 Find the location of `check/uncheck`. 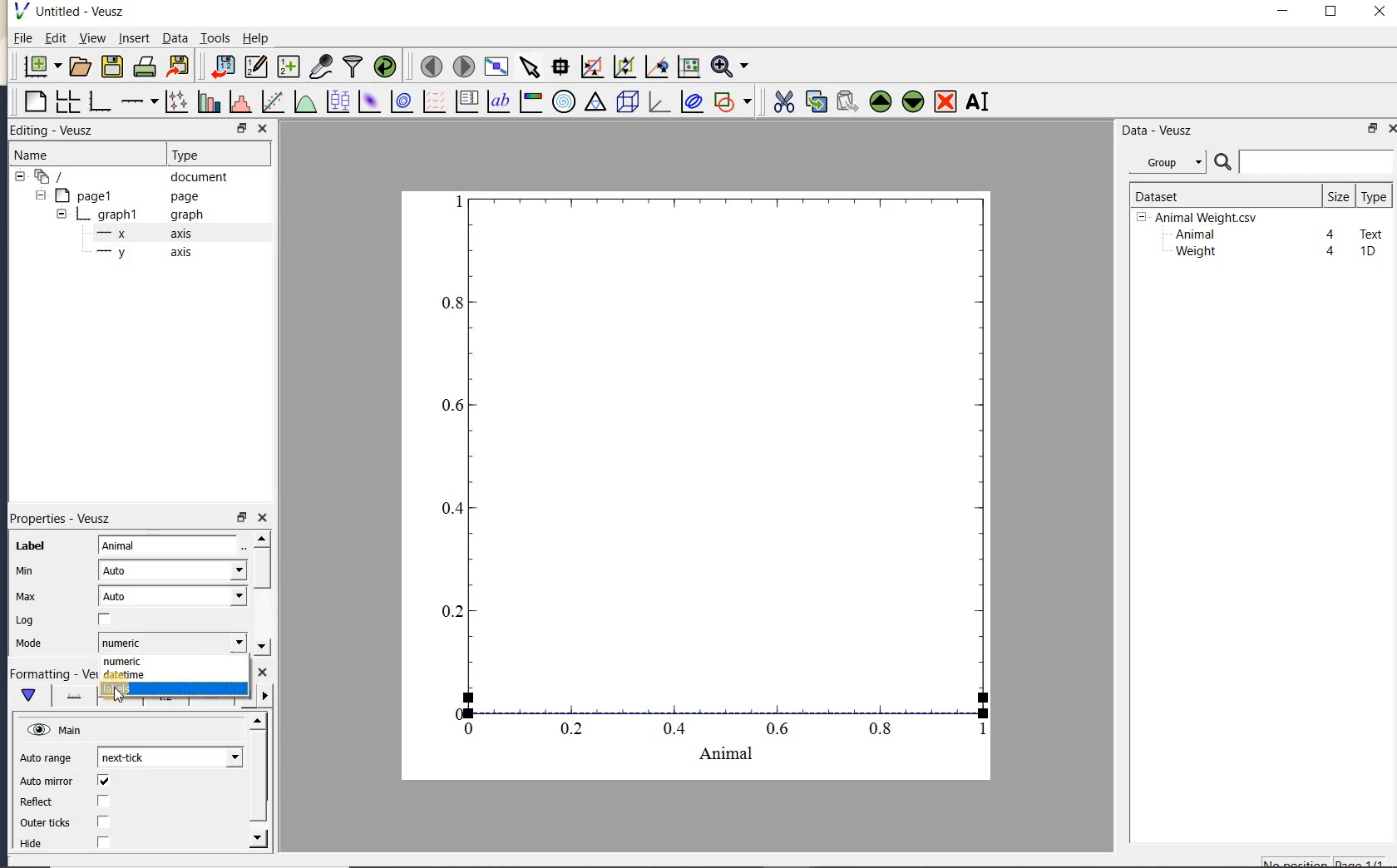

check/uncheck is located at coordinates (104, 821).